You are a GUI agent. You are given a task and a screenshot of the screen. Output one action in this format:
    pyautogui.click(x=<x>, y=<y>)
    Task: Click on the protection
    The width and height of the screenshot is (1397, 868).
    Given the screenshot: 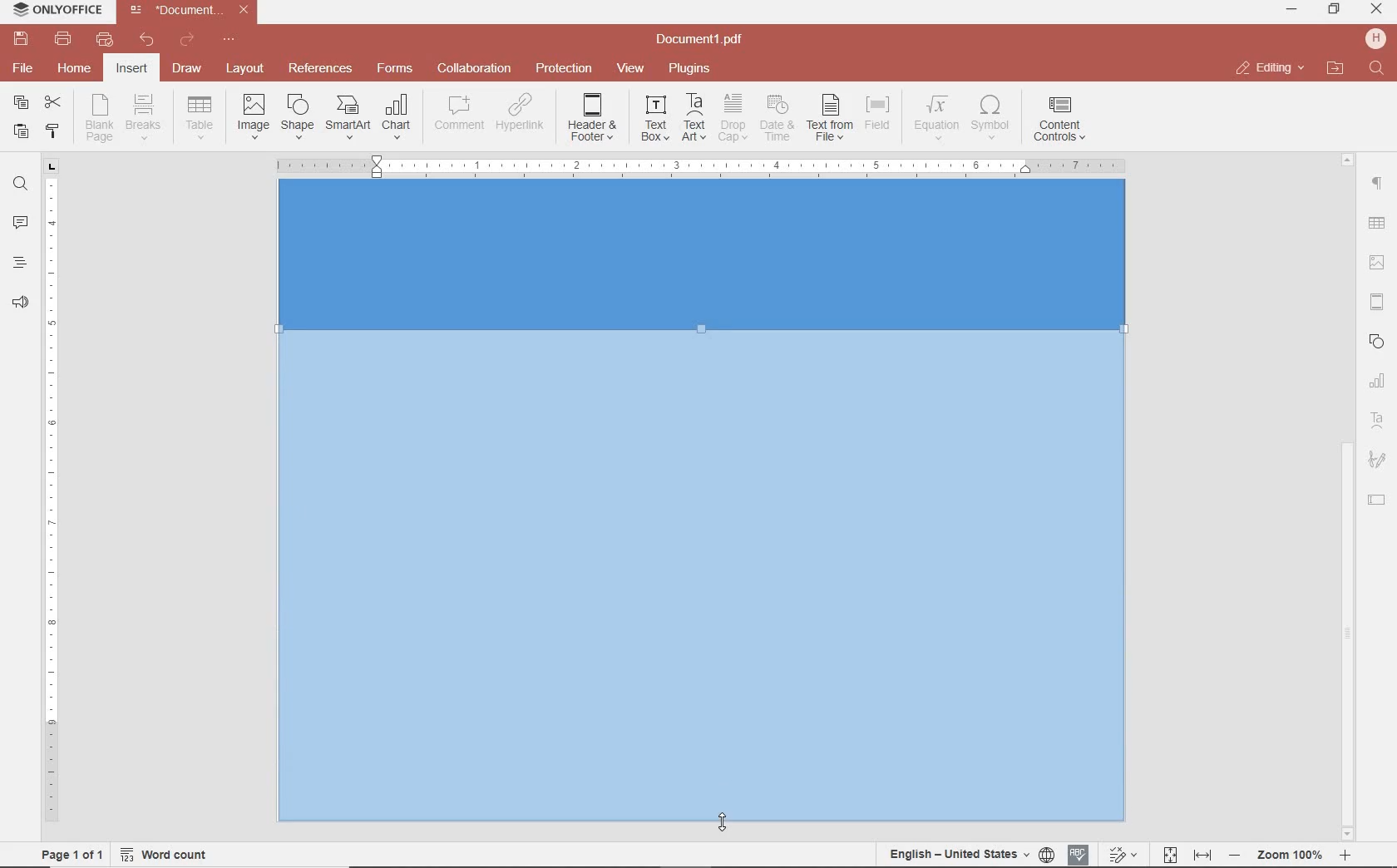 What is the action you would take?
    pyautogui.click(x=565, y=69)
    